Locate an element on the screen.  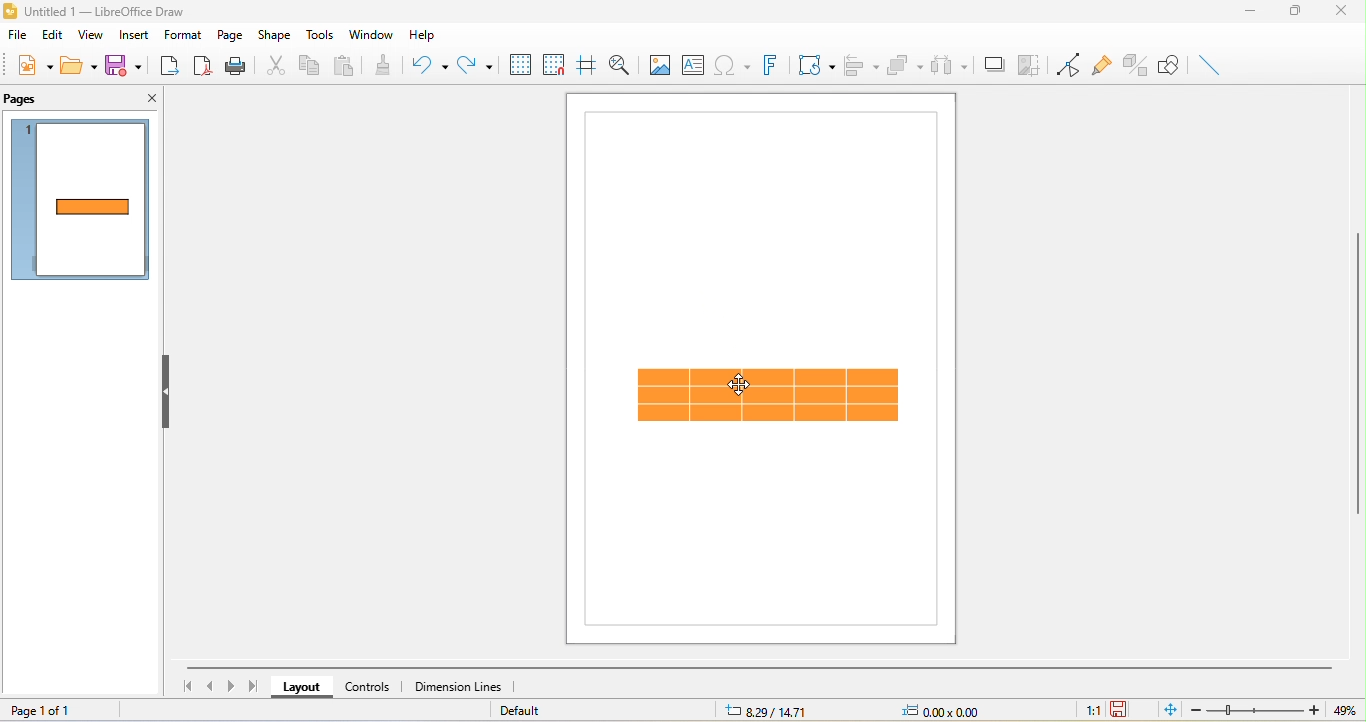
window is located at coordinates (368, 33).